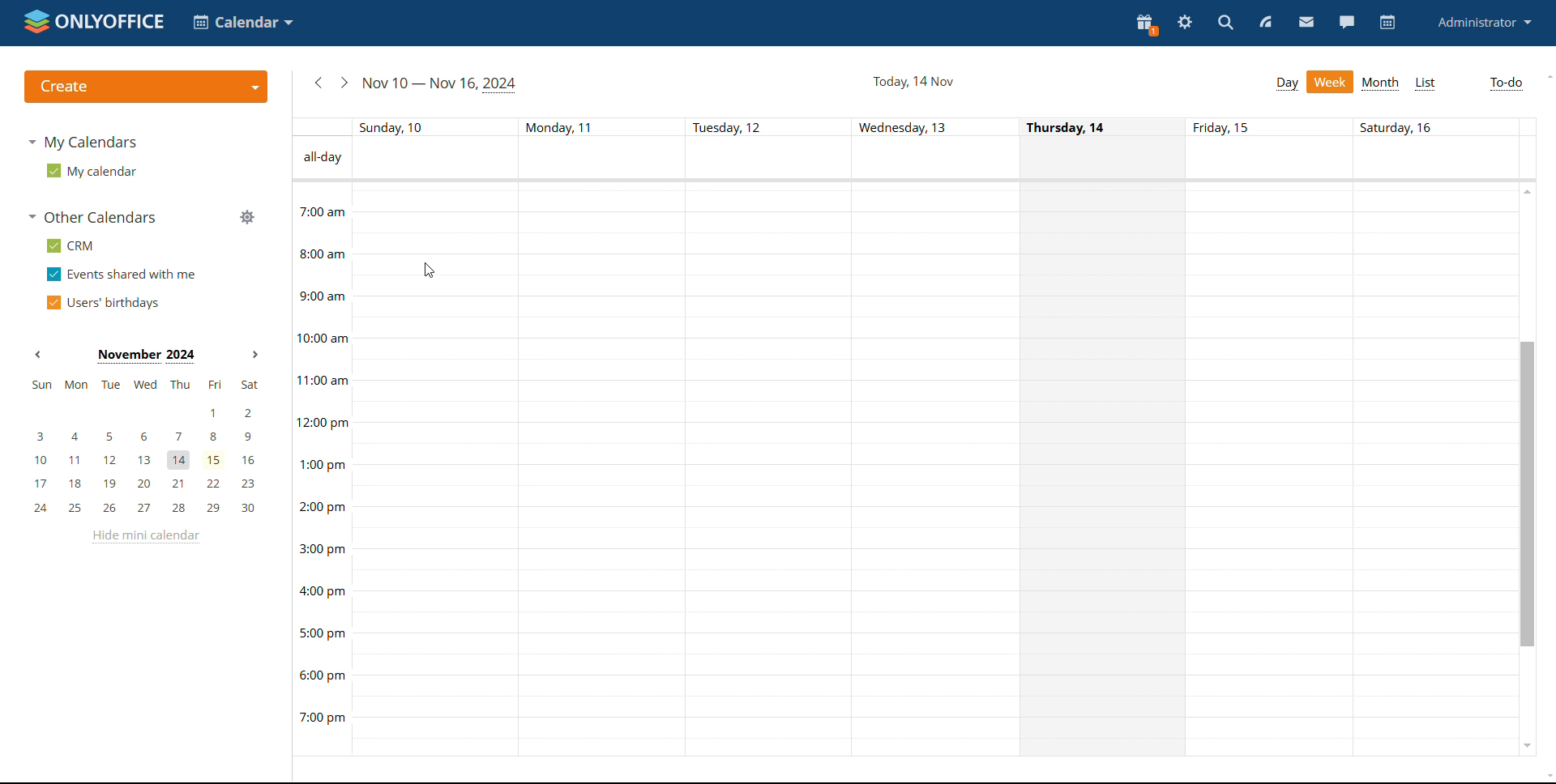 This screenshot has height=784, width=1556. I want to click on mail, so click(1307, 23).